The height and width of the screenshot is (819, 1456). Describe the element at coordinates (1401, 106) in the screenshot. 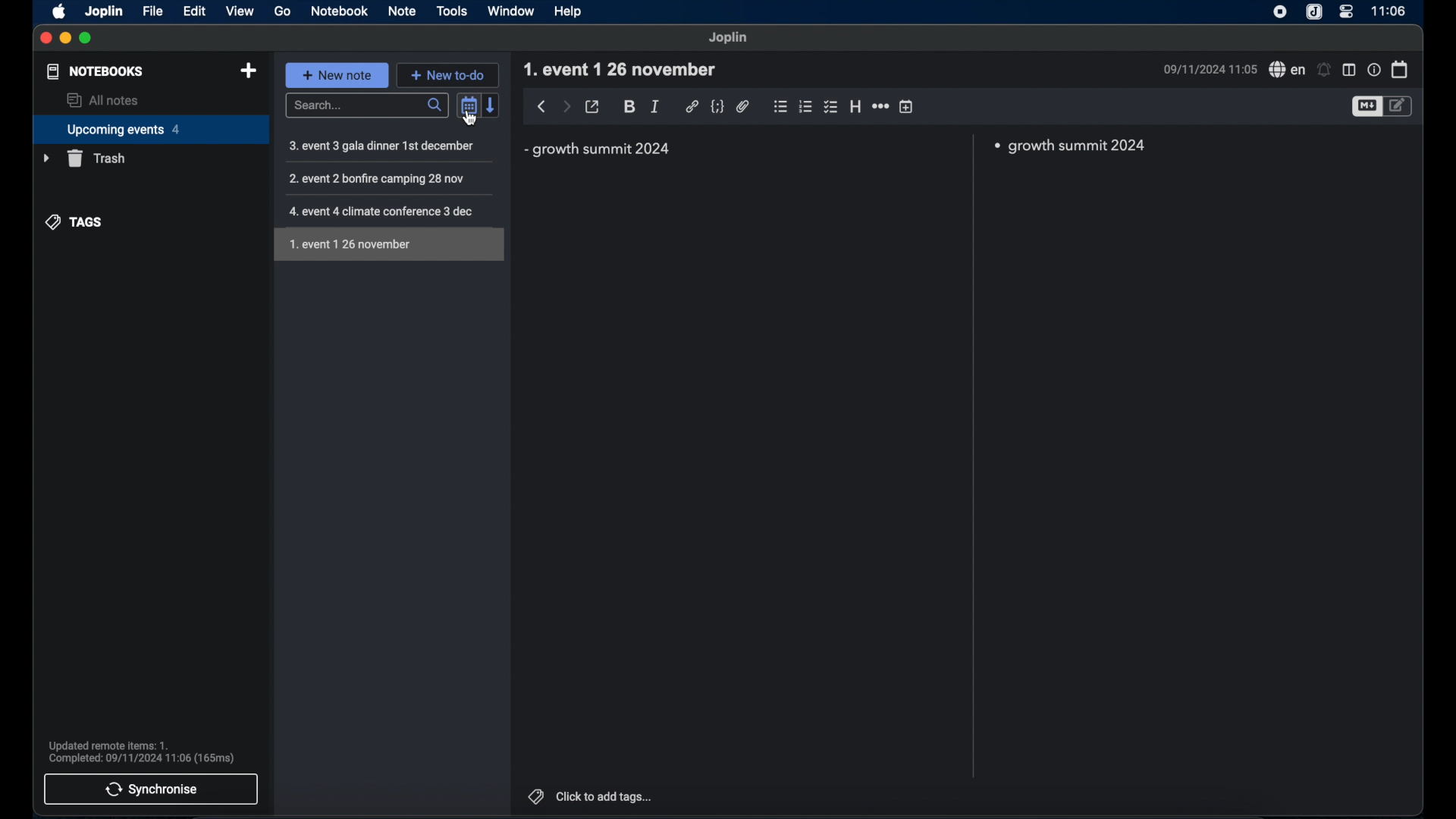

I see `toggle editor` at that location.